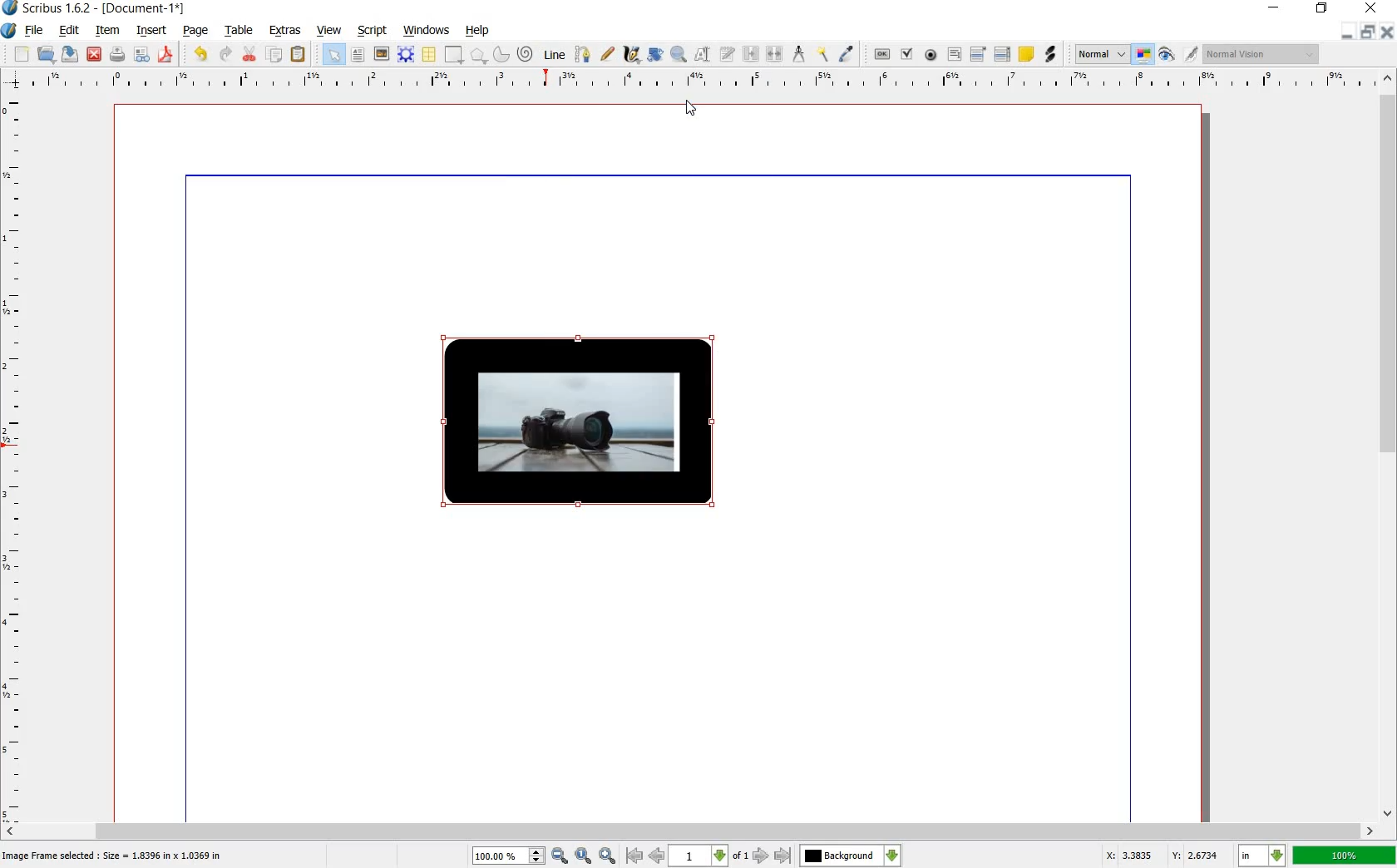  What do you see at coordinates (285, 30) in the screenshot?
I see `extras` at bounding box center [285, 30].